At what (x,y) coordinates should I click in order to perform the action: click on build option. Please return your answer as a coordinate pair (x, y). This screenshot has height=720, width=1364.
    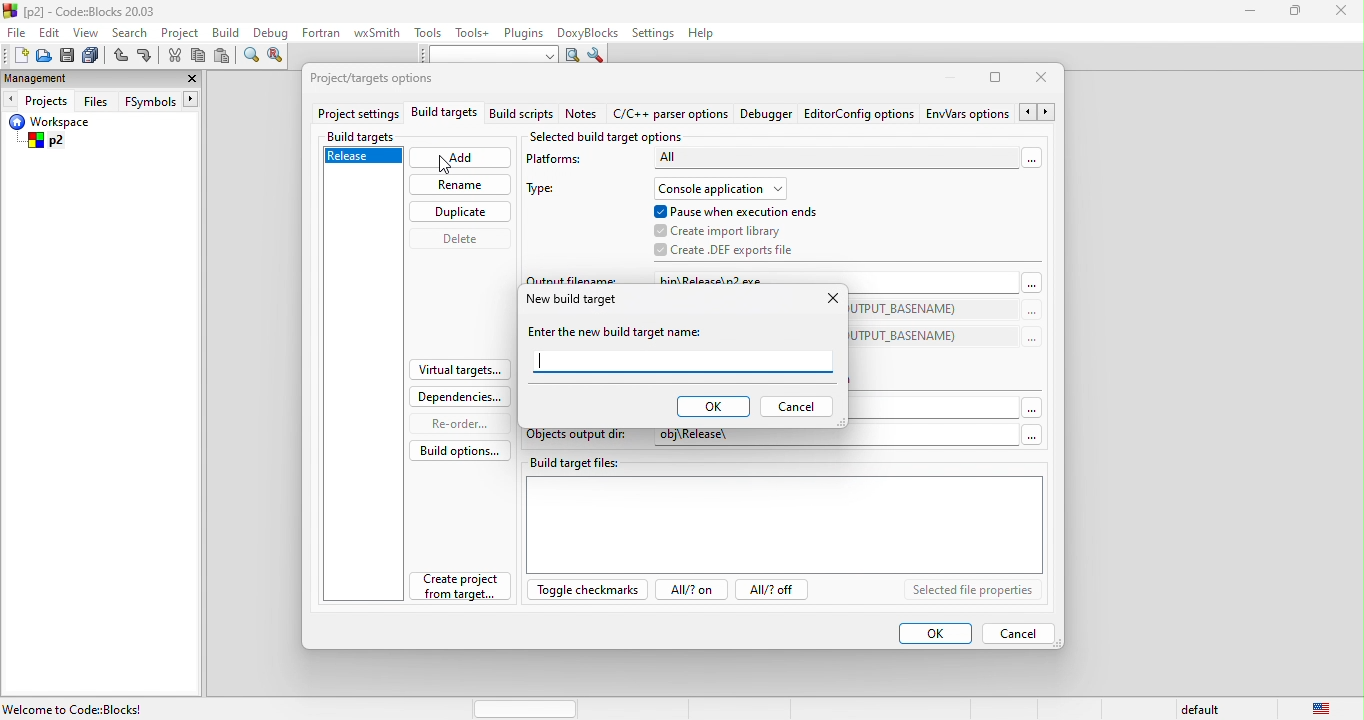
    Looking at the image, I should click on (454, 449).